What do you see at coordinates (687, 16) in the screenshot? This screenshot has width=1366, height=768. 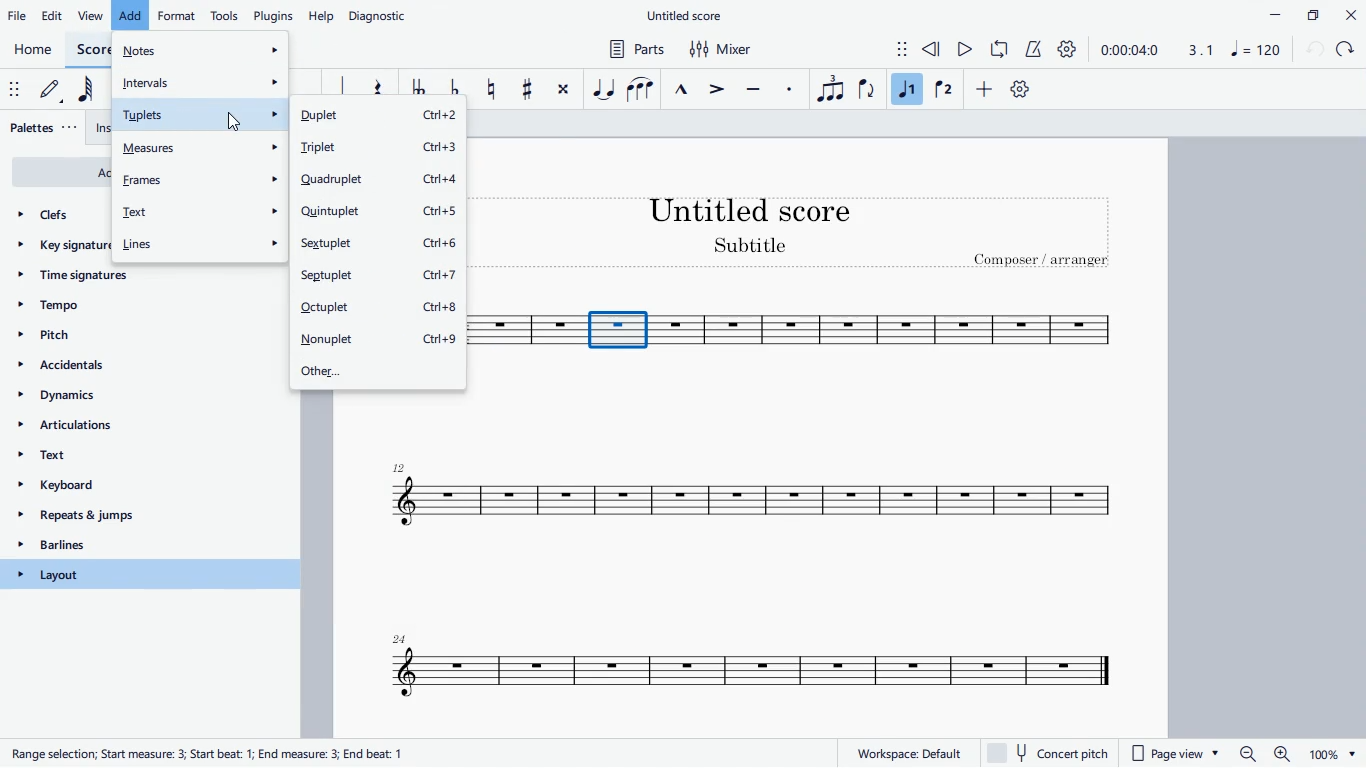 I see `untitled score` at bounding box center [687, 16].